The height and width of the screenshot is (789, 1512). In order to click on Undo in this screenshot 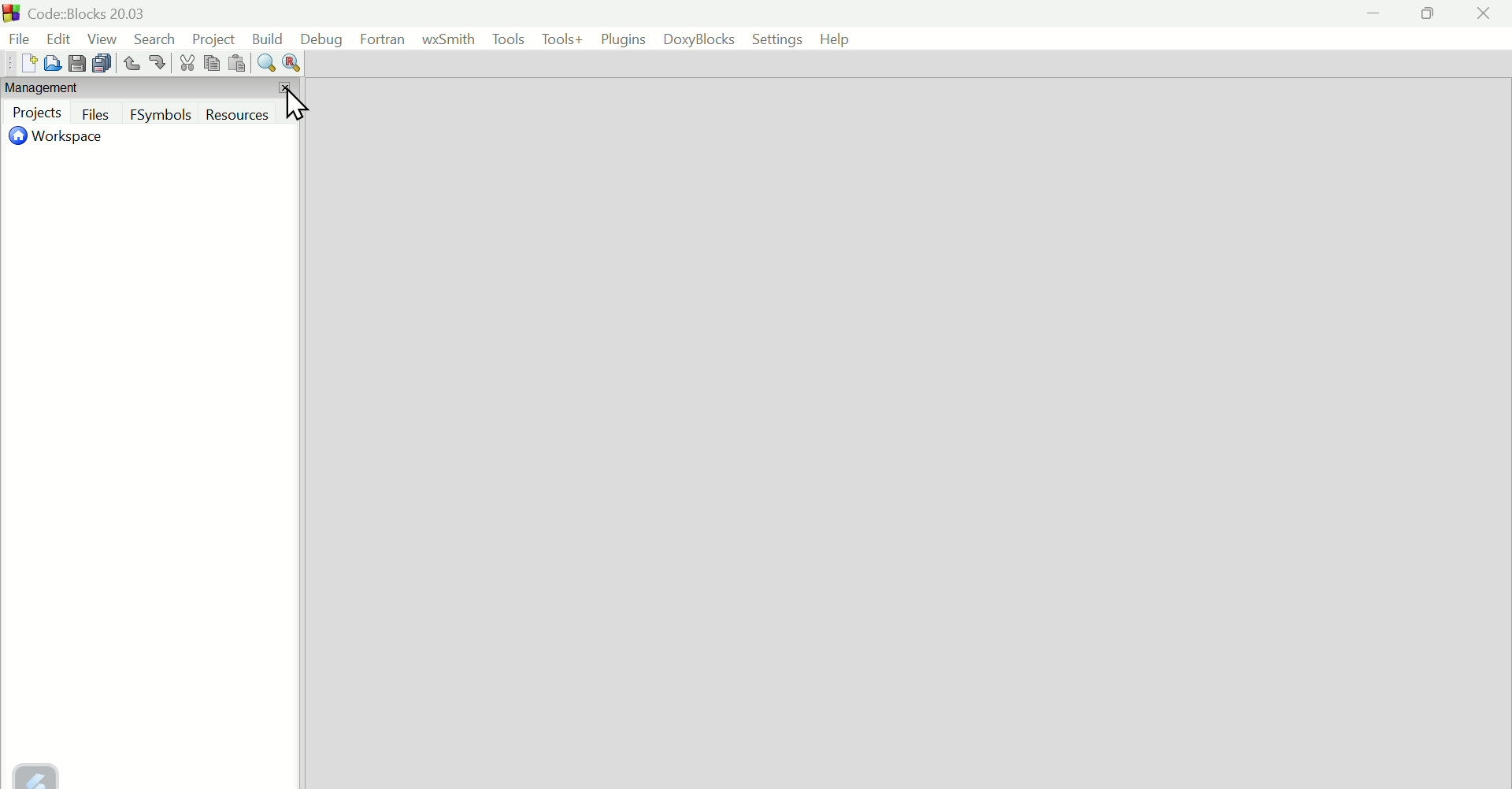, I will do `click(132, 62)`.